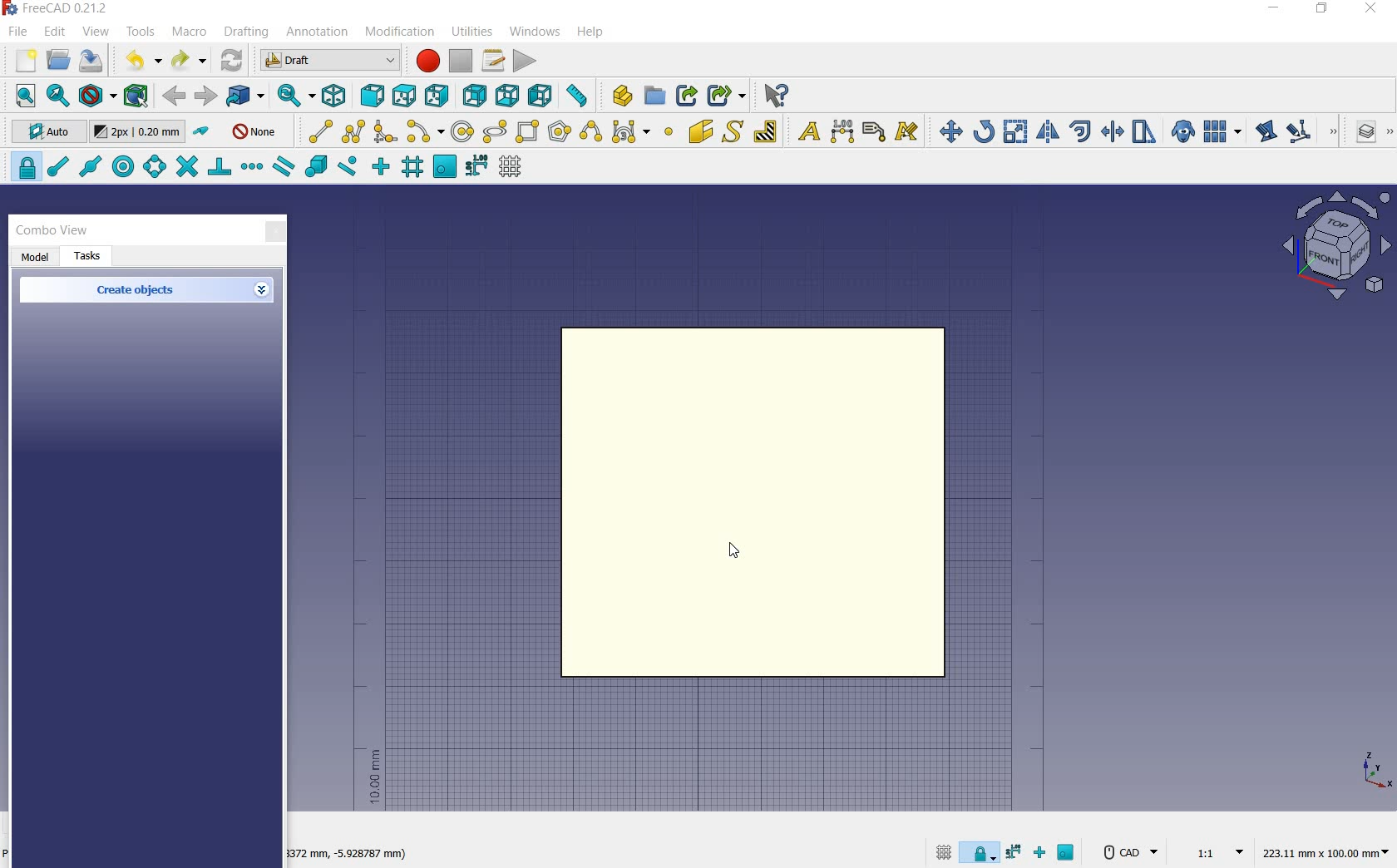  I want to click on stretch, so click(1145, 133).